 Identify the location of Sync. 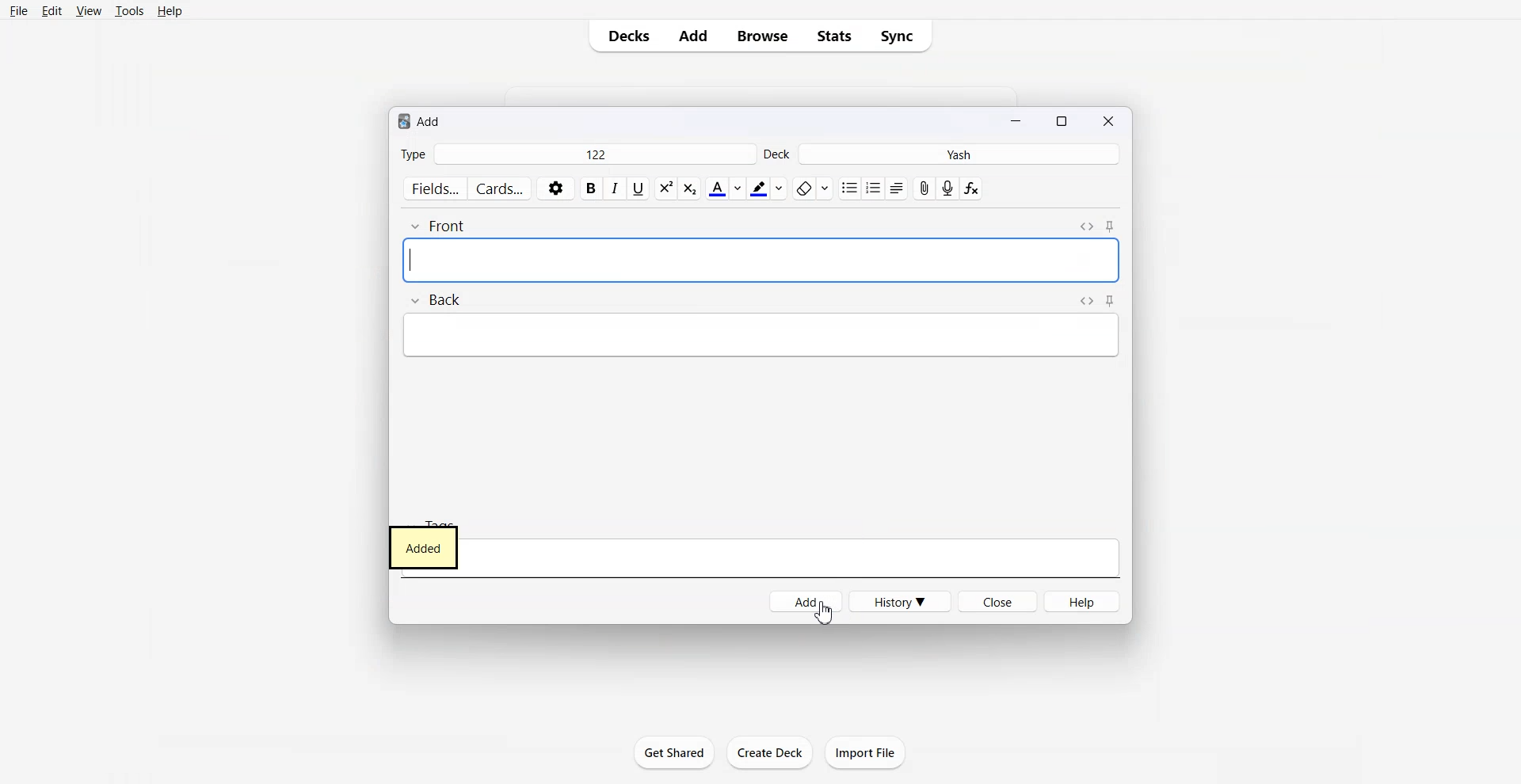
(904, 36).